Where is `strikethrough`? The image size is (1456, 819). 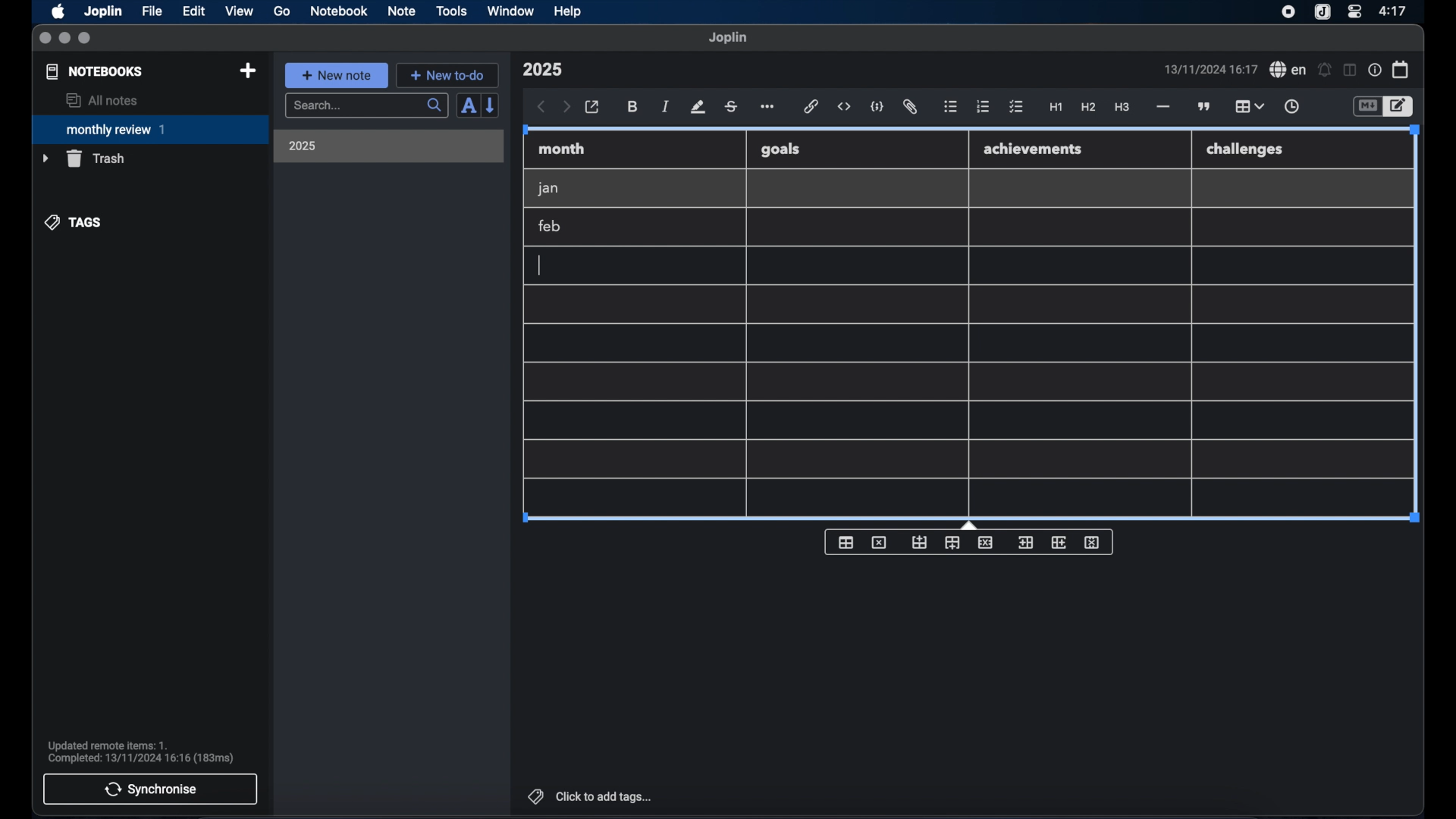 strikethrough is located at coordinates (730, 107).